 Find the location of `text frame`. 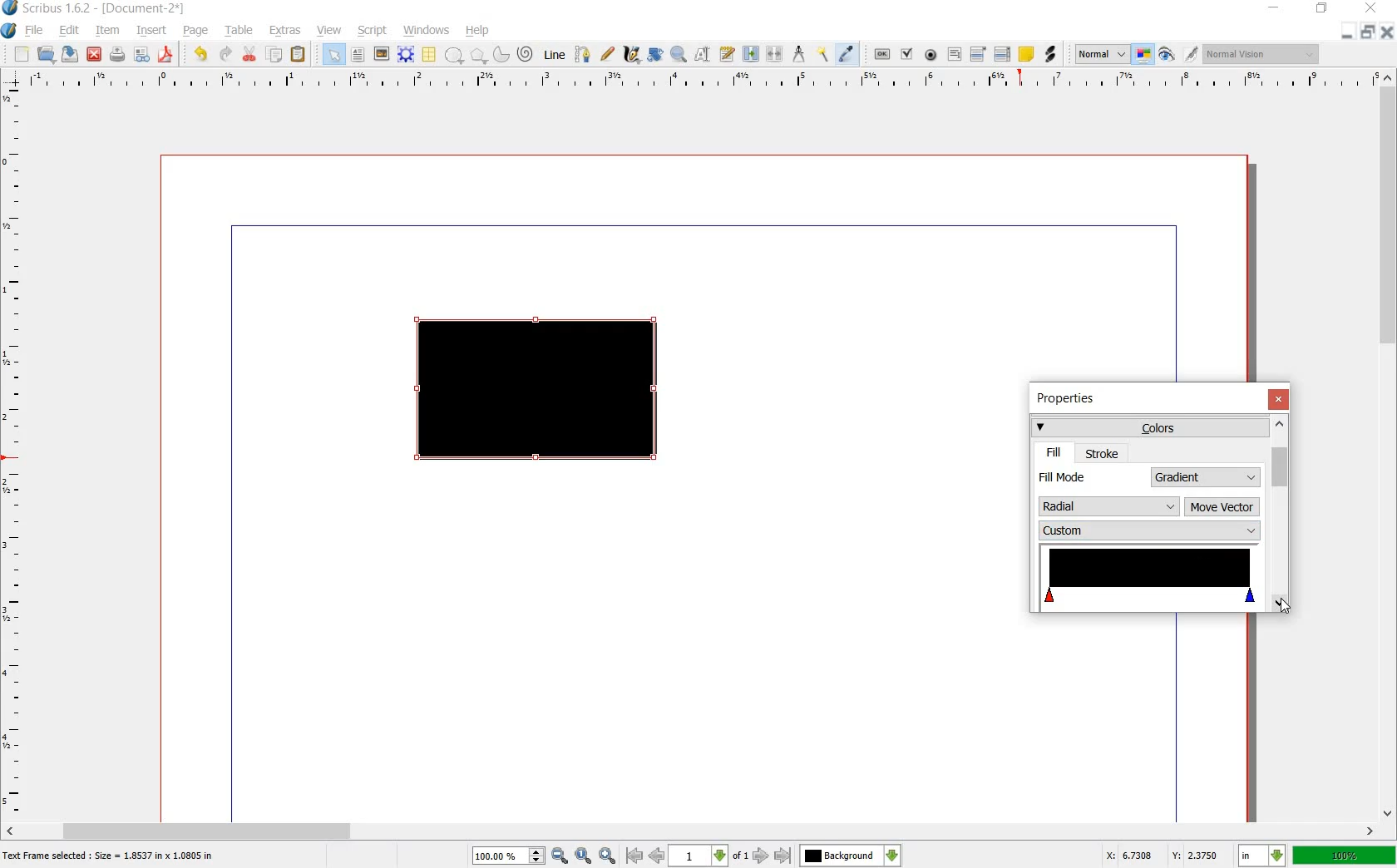

text frame is located at coordinates (357, 55).